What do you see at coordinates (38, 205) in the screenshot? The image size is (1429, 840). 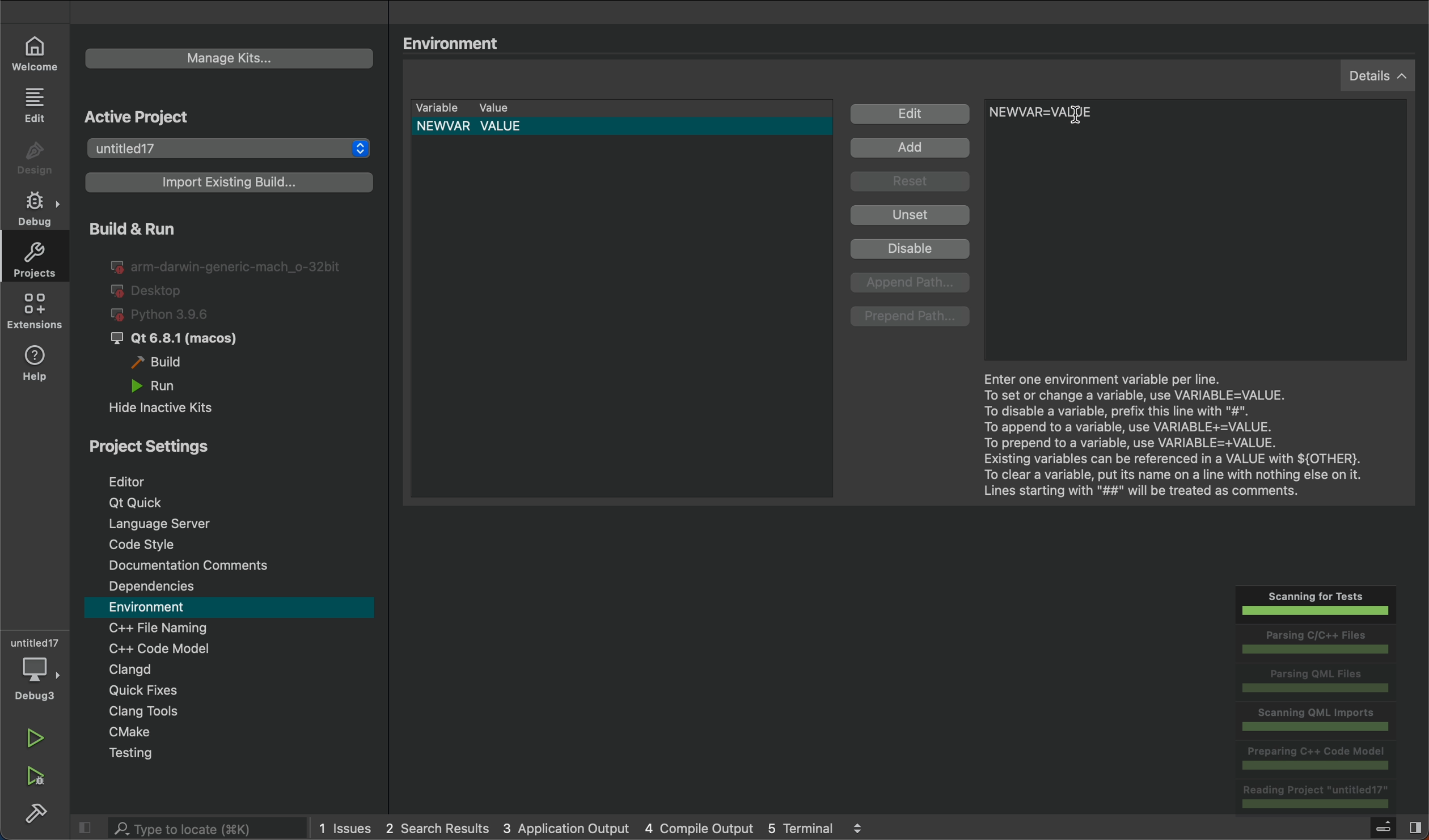 I see `debug` at bounding box center [38, 205].